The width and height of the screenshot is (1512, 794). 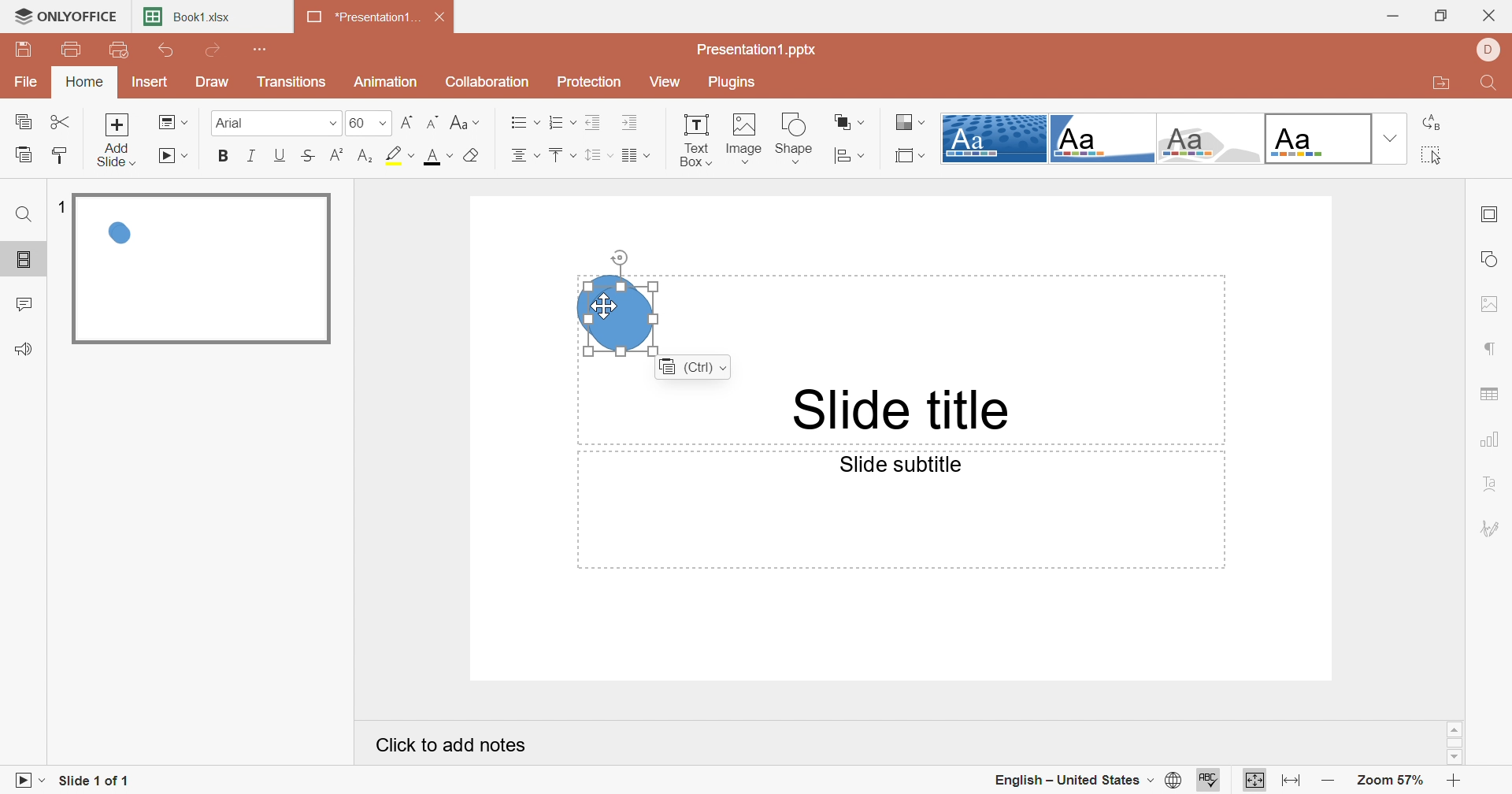 I want to click on Vertical align, so click(x=561, y=155).